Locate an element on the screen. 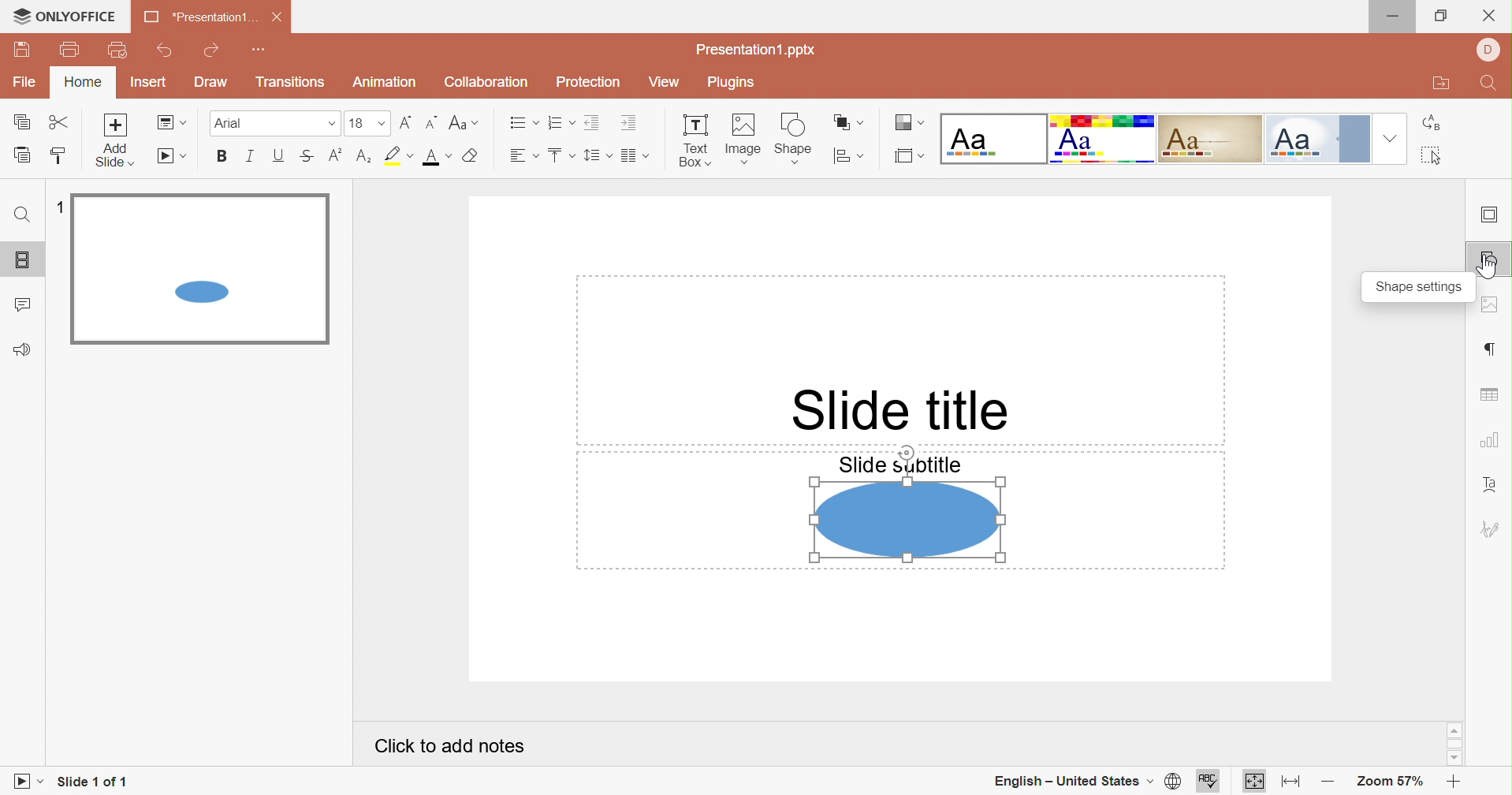 The width and height of the screenshot is (1512, 795). Set document language is located at coordinates (1174, 782).